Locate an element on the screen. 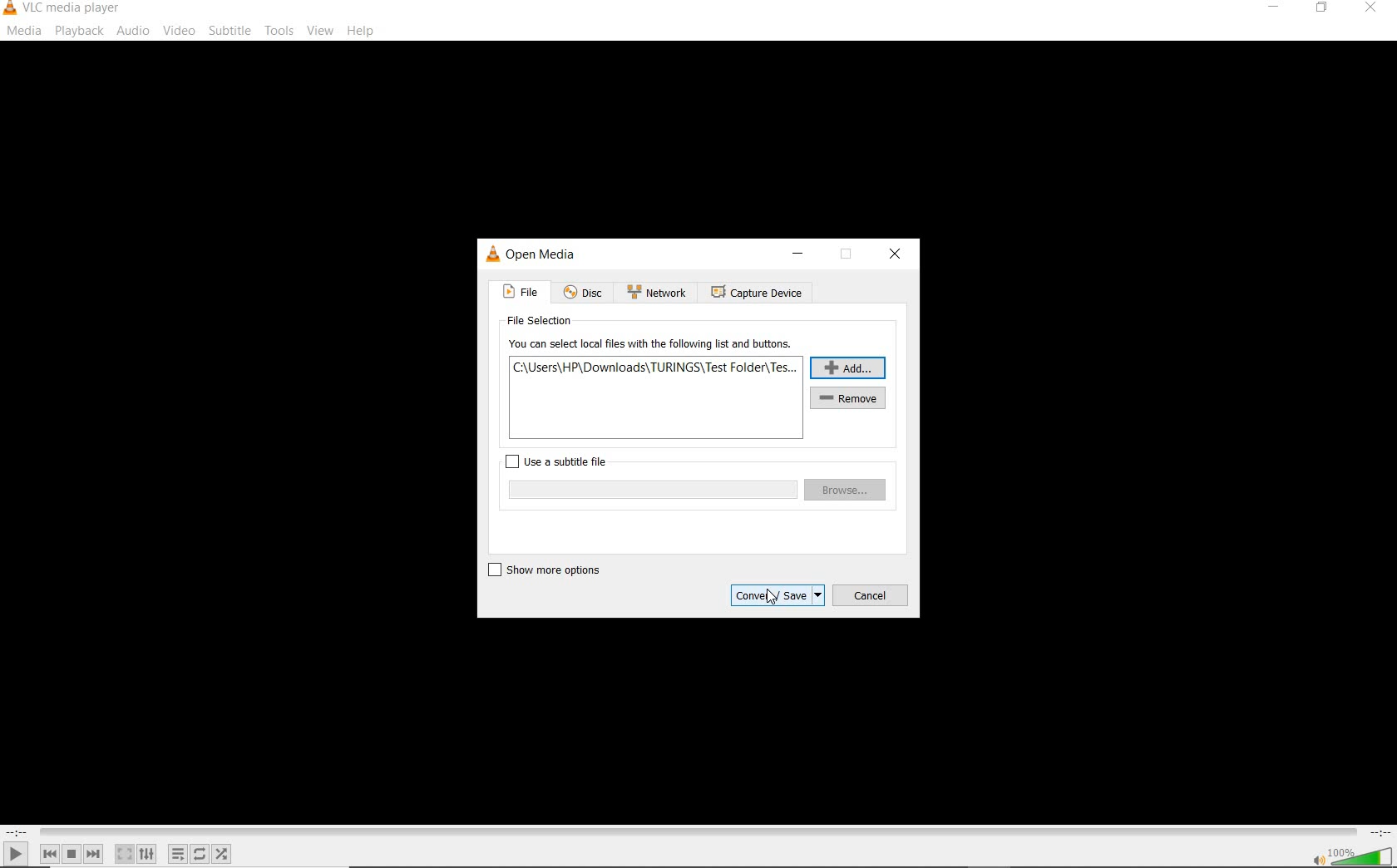 The width and height of the screenshot is (1397, 868). you can select local files with the following list and buttons. is located at coordinates (652, 344).